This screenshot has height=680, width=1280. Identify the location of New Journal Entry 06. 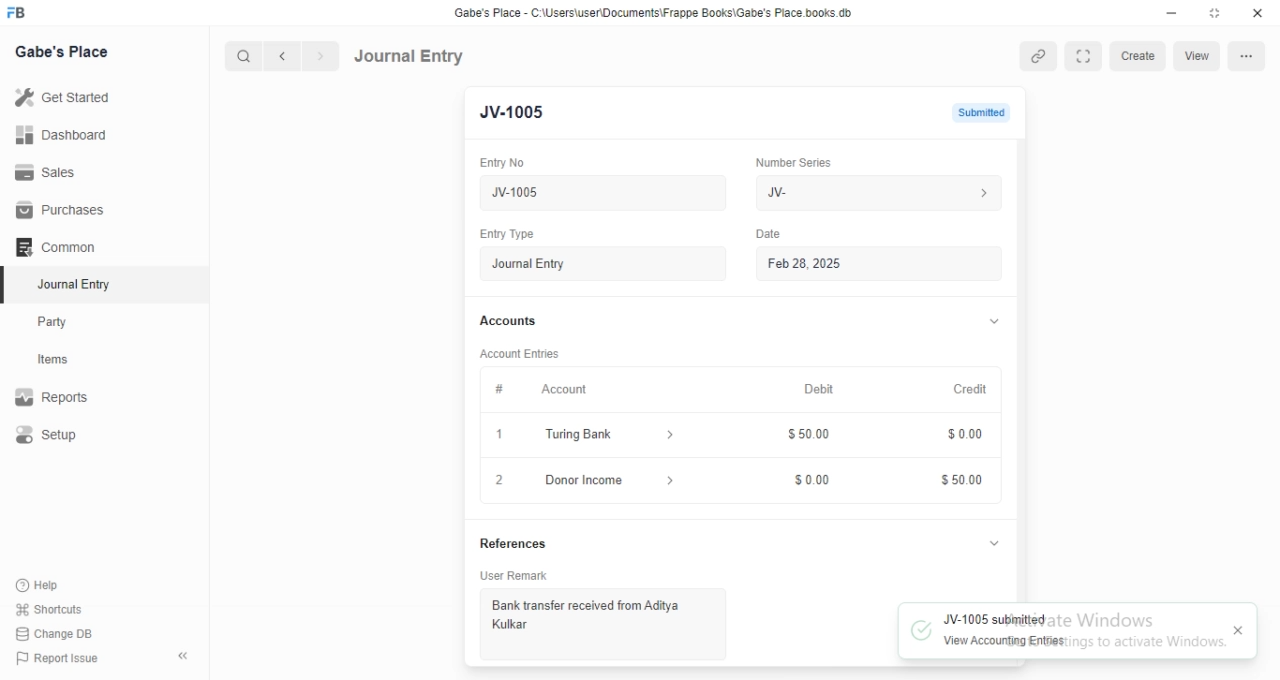
(597, 191).